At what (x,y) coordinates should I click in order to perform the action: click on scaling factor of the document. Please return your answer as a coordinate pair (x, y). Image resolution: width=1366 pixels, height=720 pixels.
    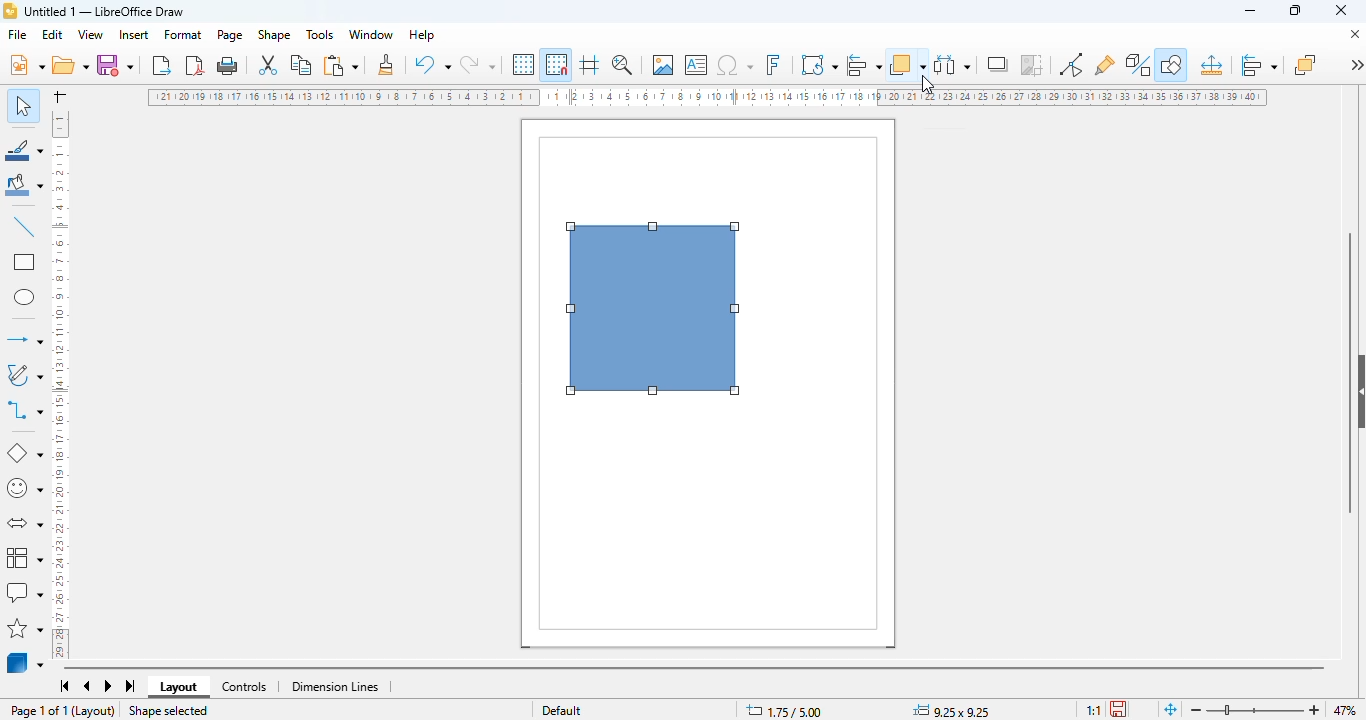
    Looking at the image, I should click on (1093, 709).